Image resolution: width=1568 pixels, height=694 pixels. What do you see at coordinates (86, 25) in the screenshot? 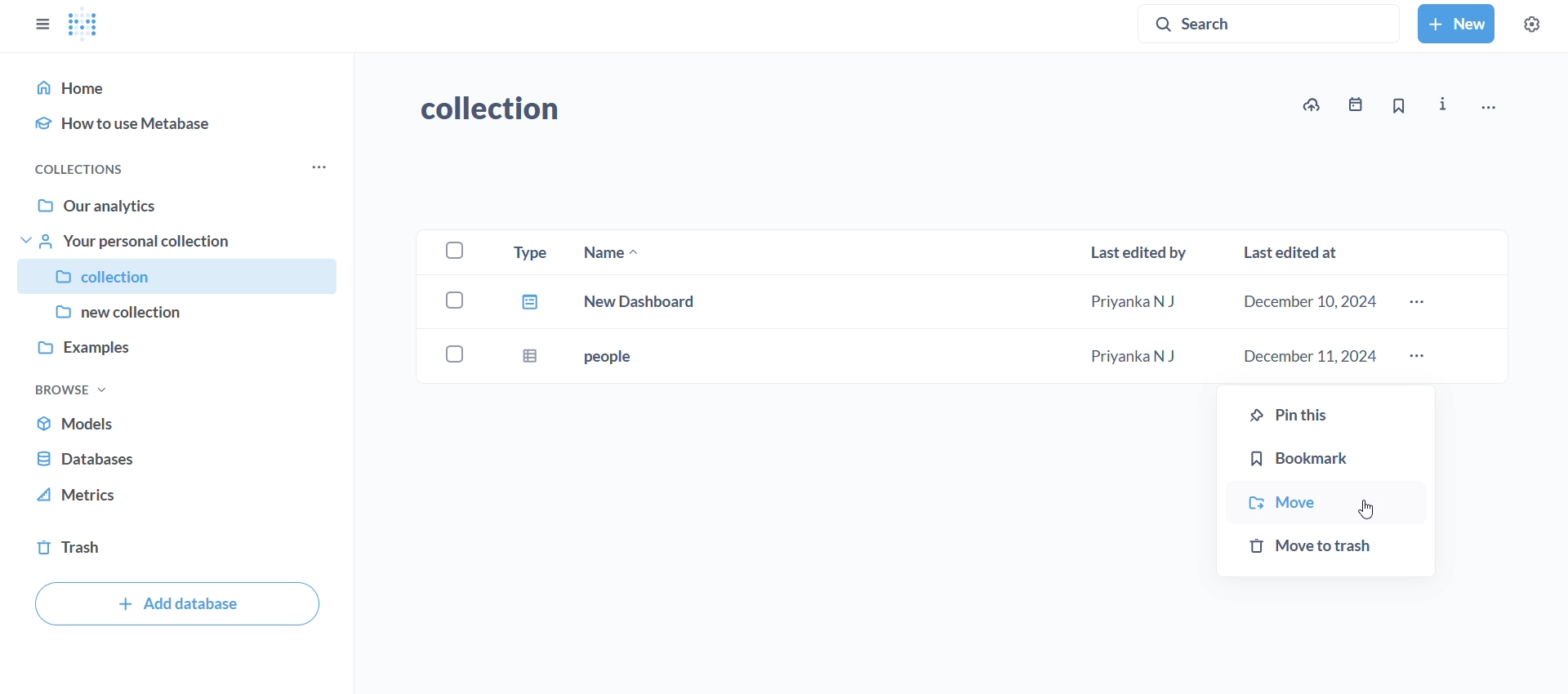
I see `logo` at bounding box center [86, 25].